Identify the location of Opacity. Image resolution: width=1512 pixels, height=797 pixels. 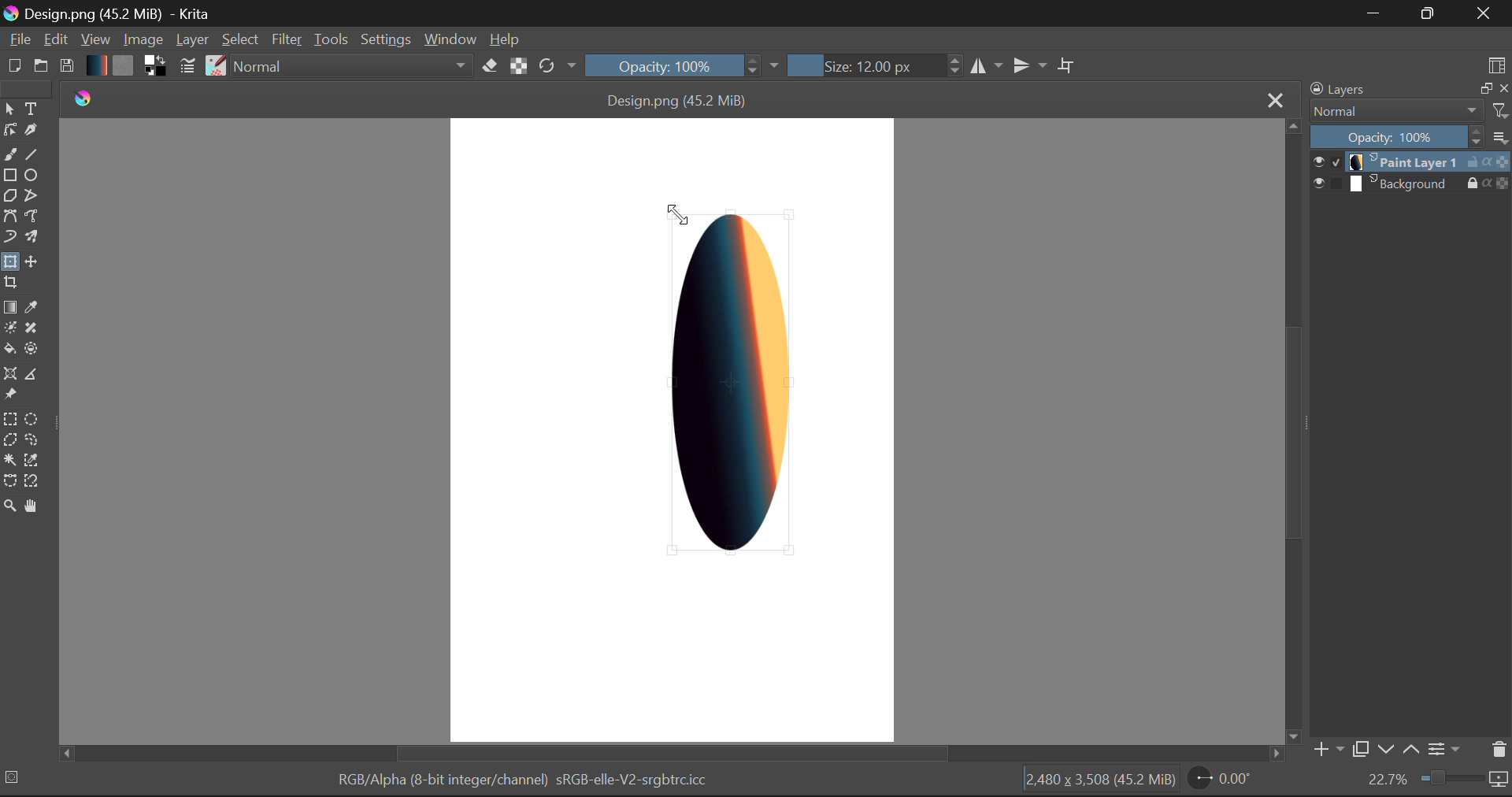
(1412, 136).